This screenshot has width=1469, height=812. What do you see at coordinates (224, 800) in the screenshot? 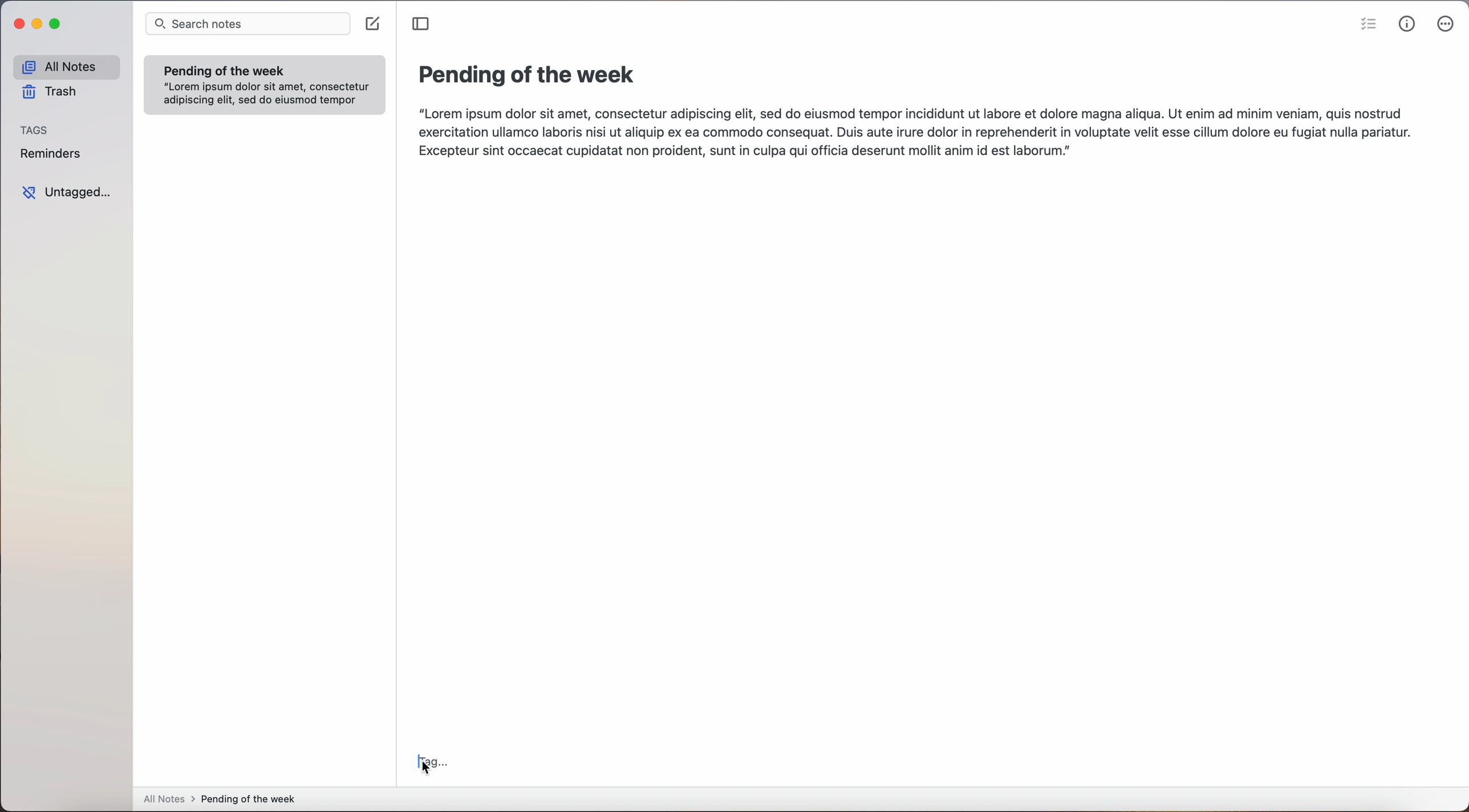
I see `all notes > pending of the week` at bounding box center [224, 800].